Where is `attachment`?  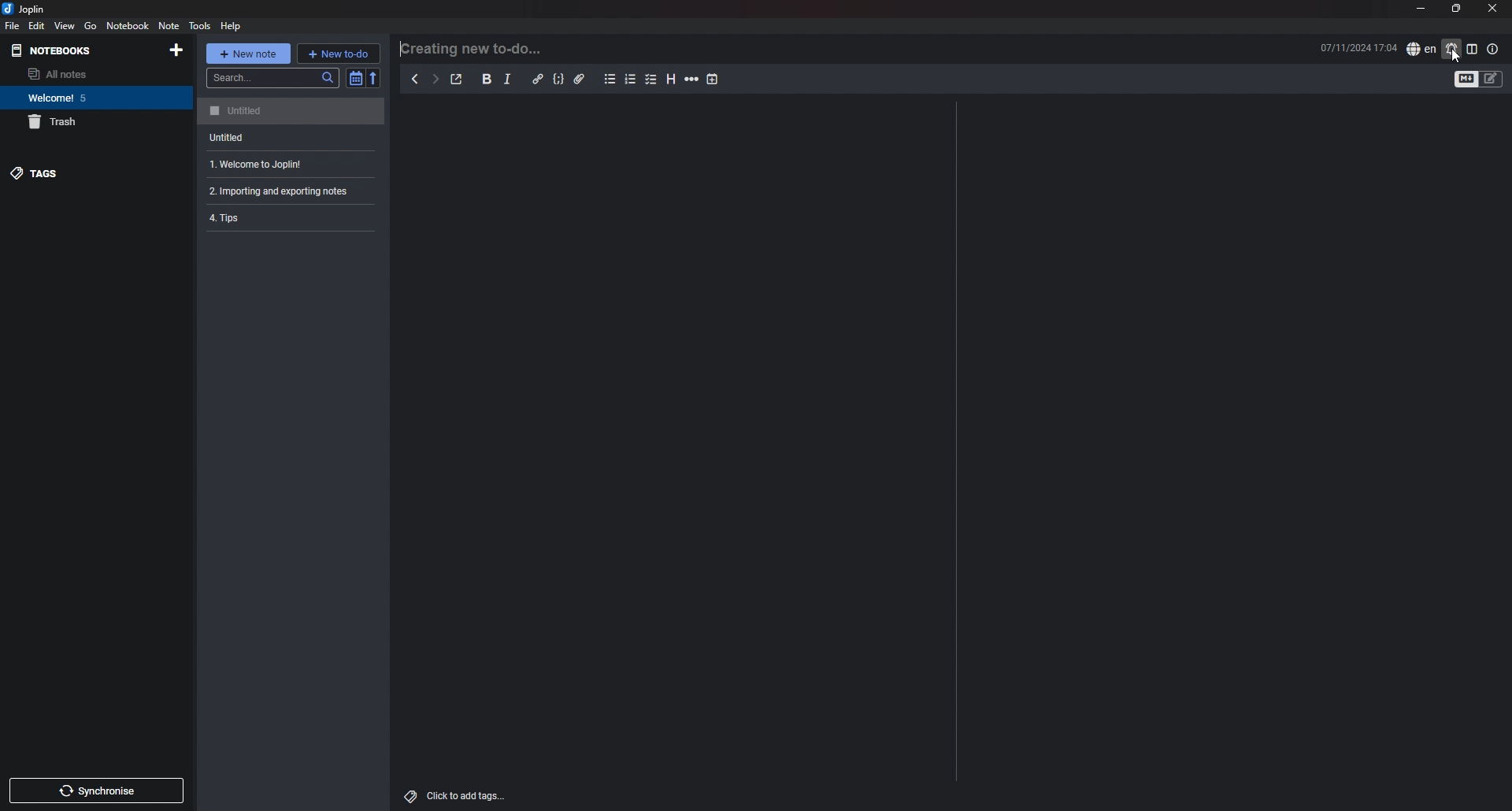
attachment is located at coordinates (580, 80).